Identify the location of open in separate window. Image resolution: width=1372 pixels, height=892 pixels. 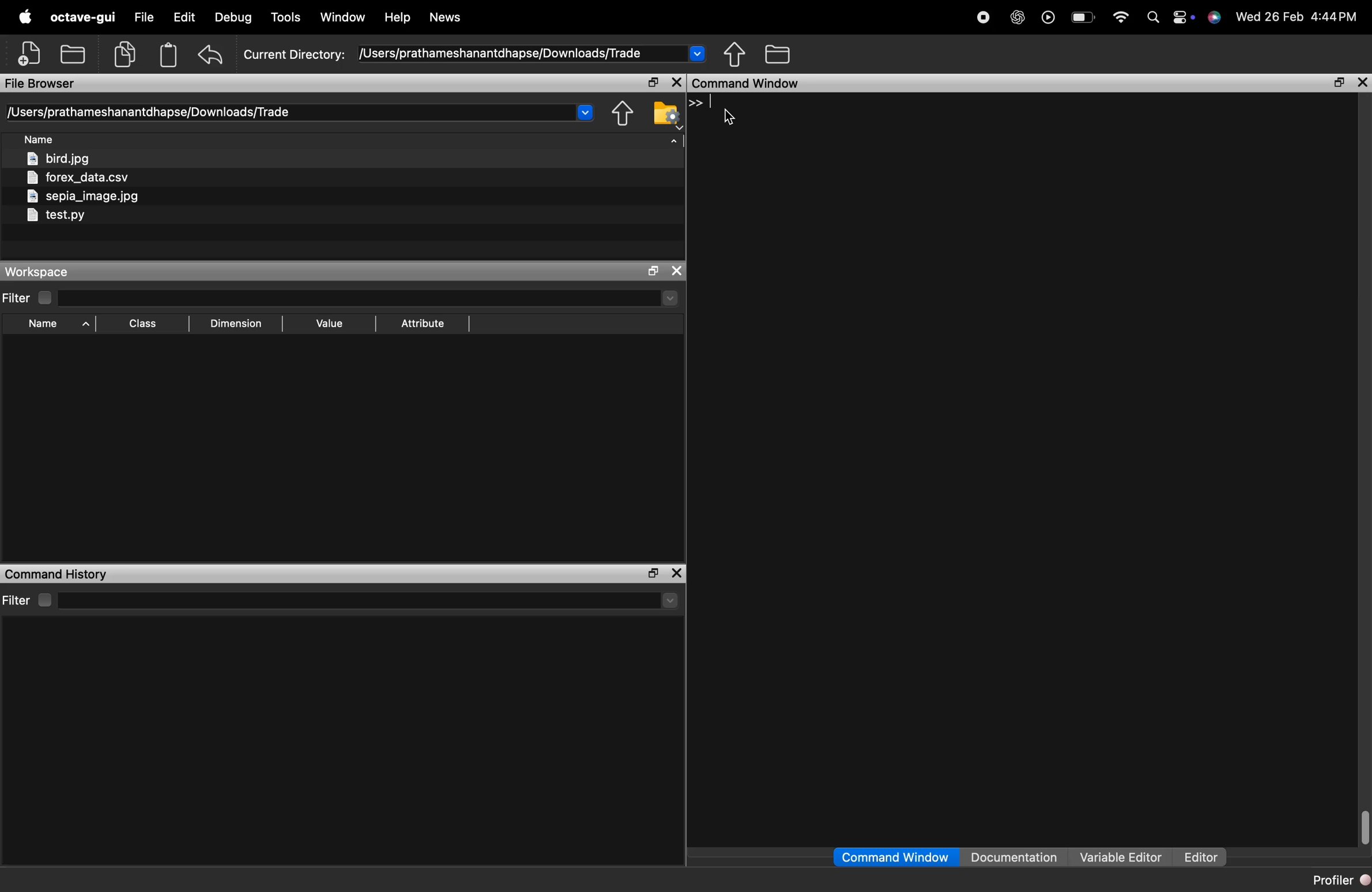
(654, 573).